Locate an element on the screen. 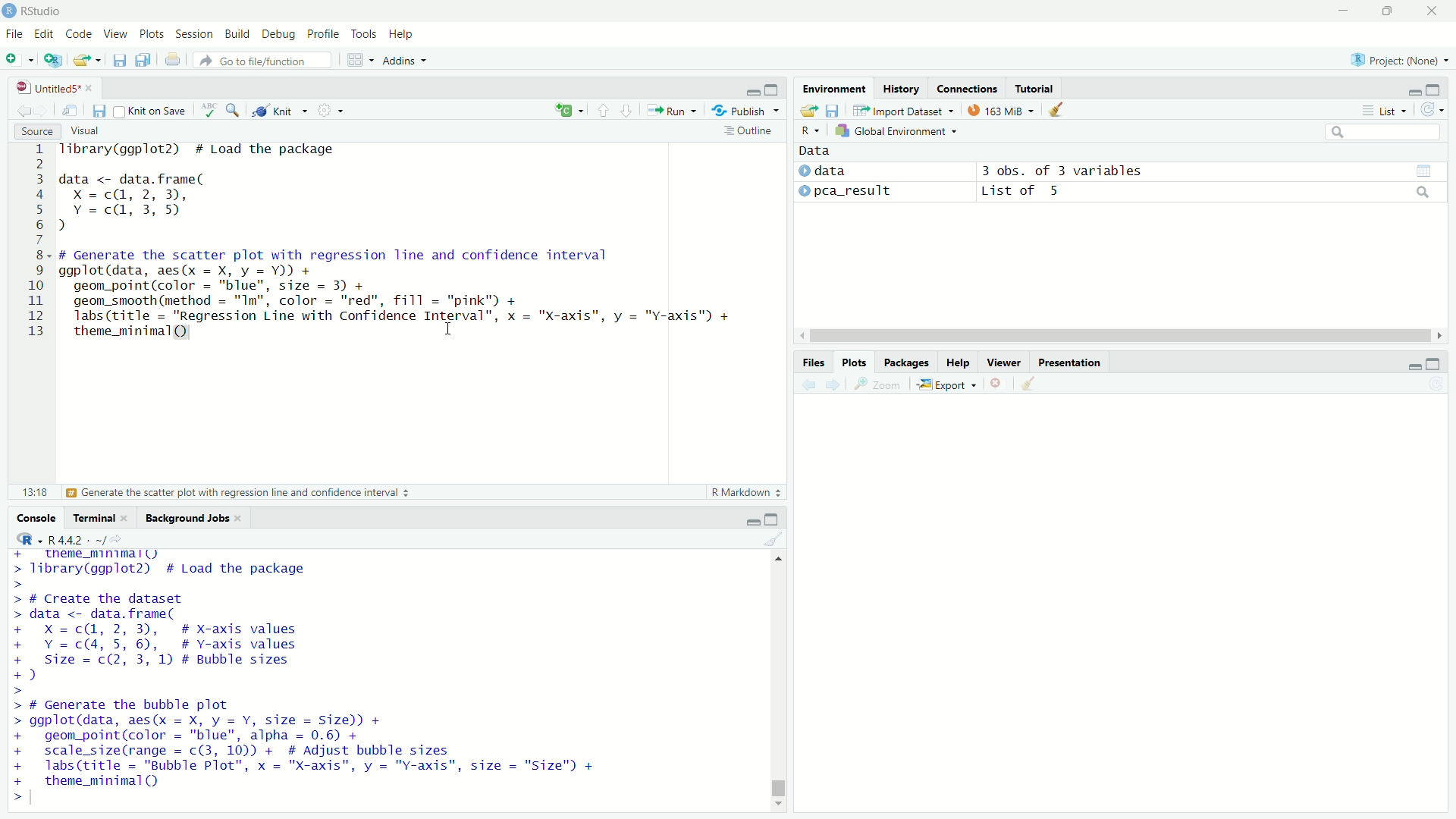 Image resolution: width=1456 pixels, height=819 pixels. minimize is located at coordinates (1413, 91).